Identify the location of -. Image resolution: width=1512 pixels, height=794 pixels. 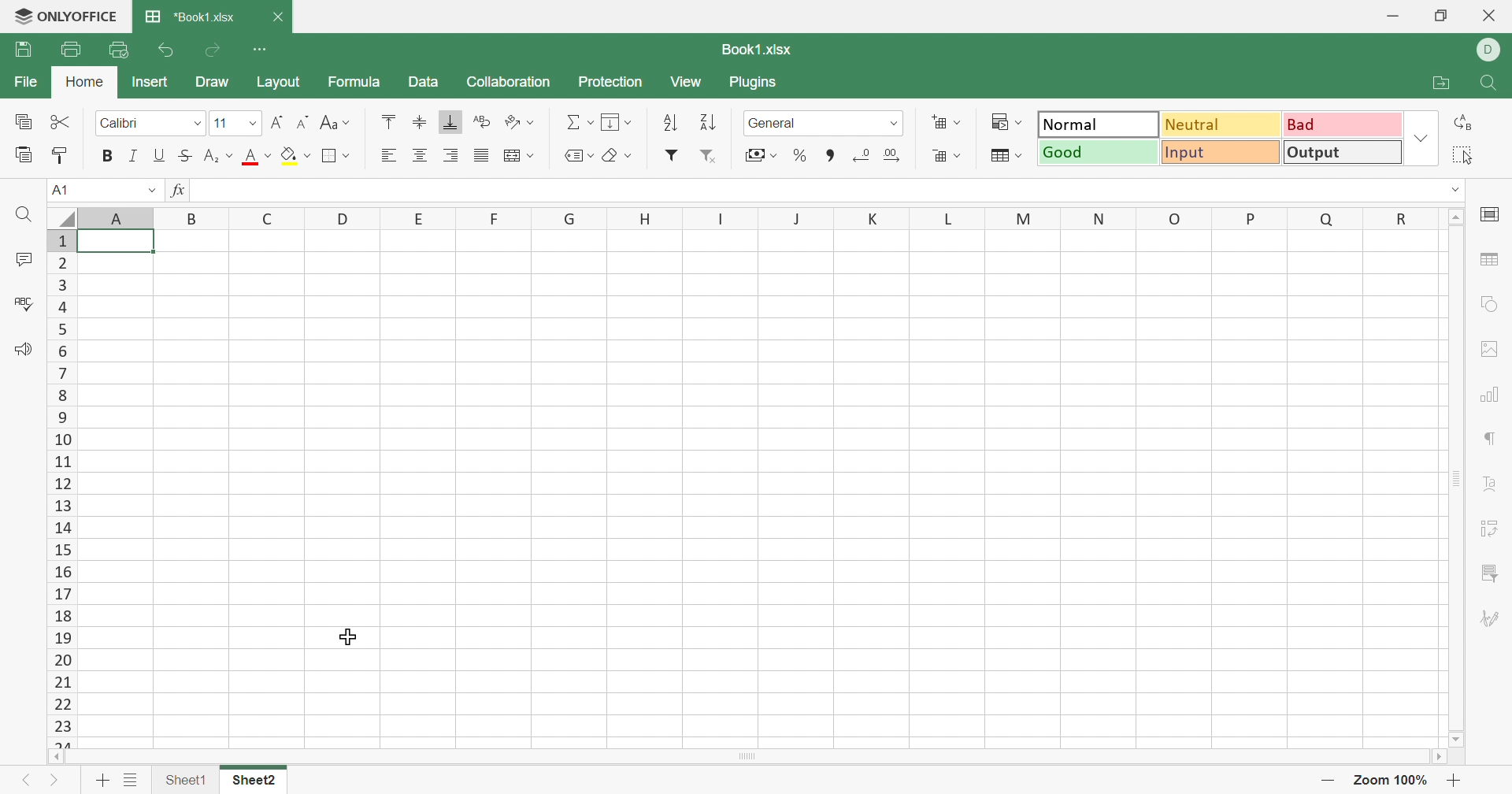
(1327, 781).